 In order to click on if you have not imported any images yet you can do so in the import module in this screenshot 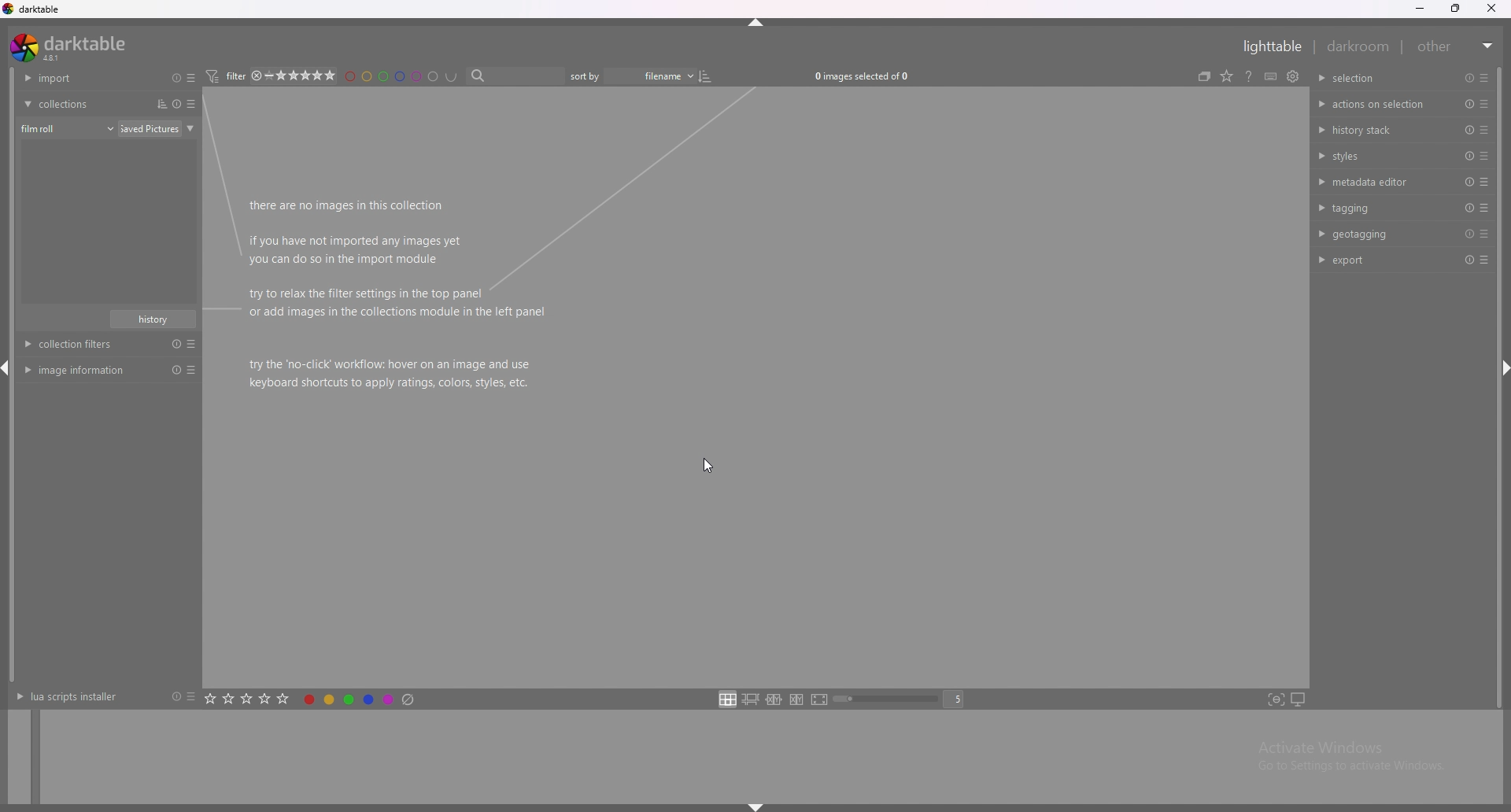, I will do `click(356, 249)`.